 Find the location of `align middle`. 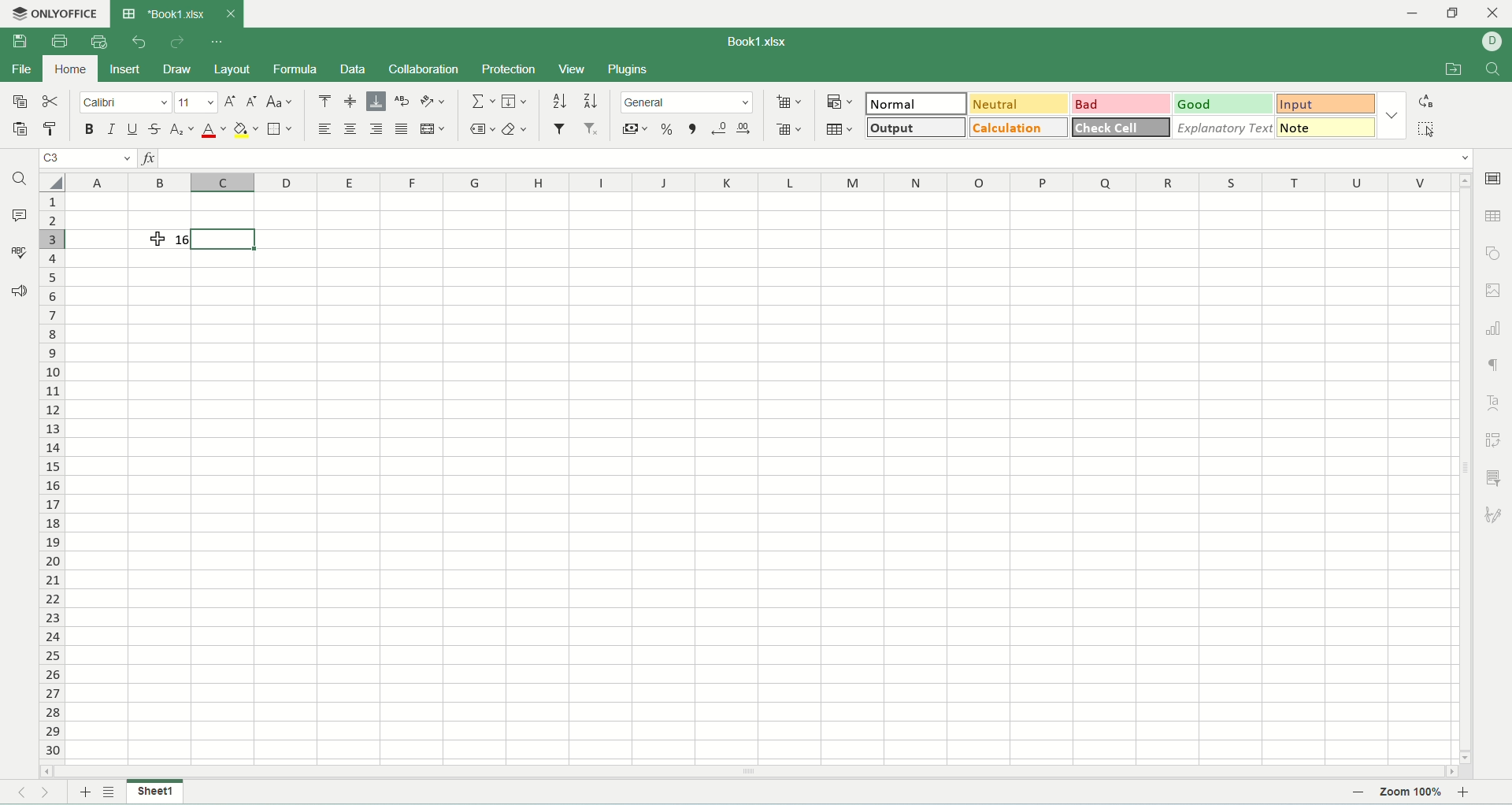

align middle is located at coordinates (350, 102).